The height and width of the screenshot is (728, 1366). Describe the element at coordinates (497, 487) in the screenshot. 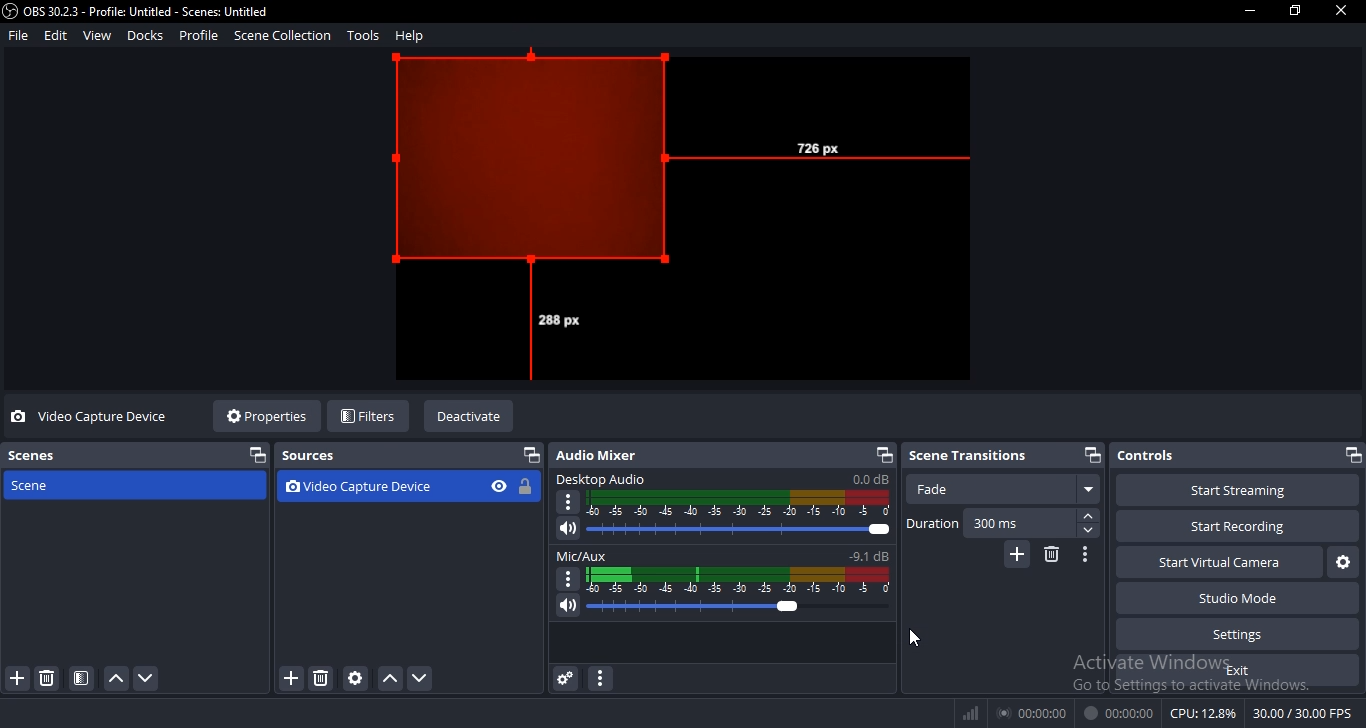

I see `hide` at that location.